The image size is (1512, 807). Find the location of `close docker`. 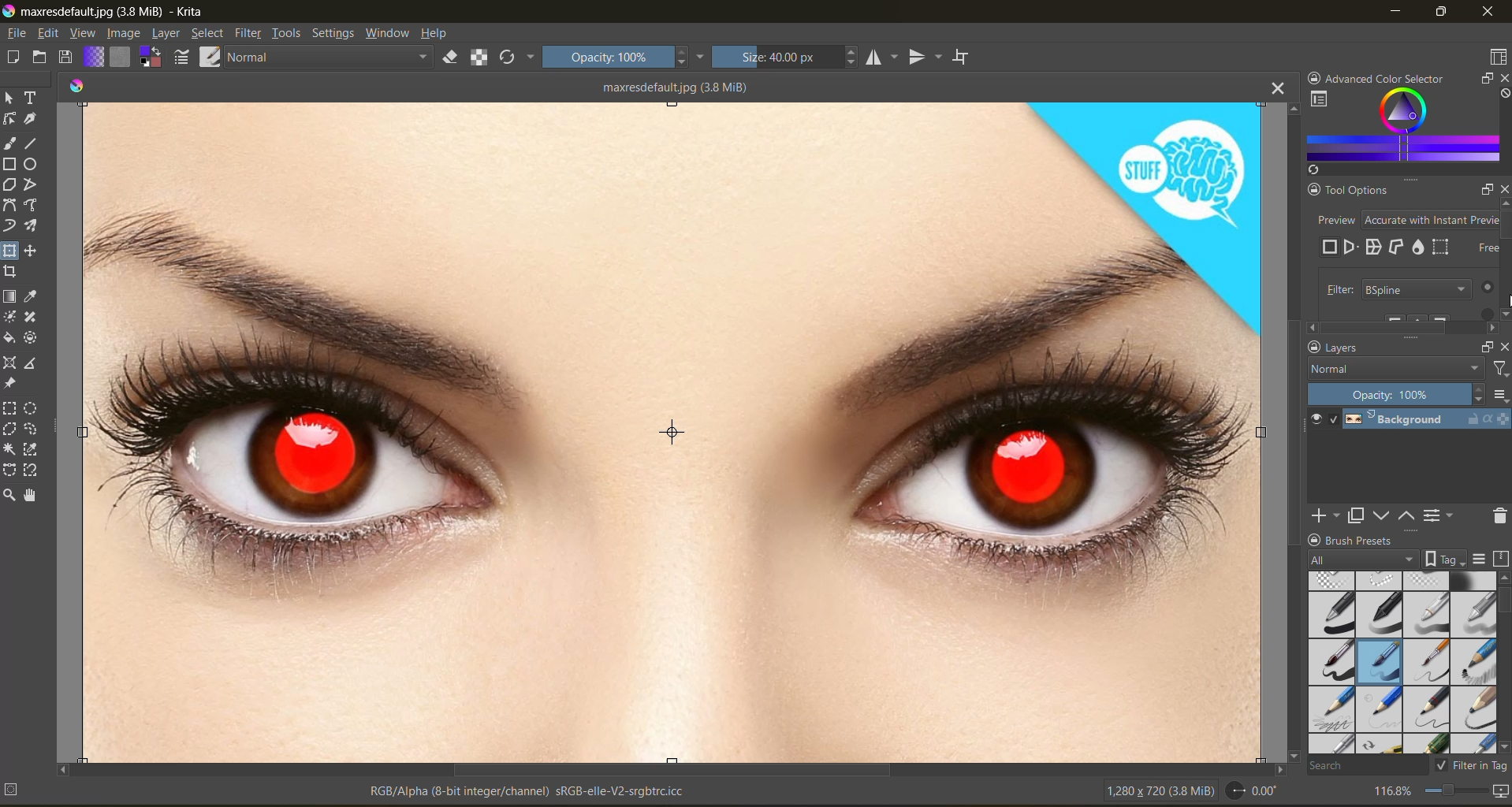

close docker is located at coordinates (1503, 80).